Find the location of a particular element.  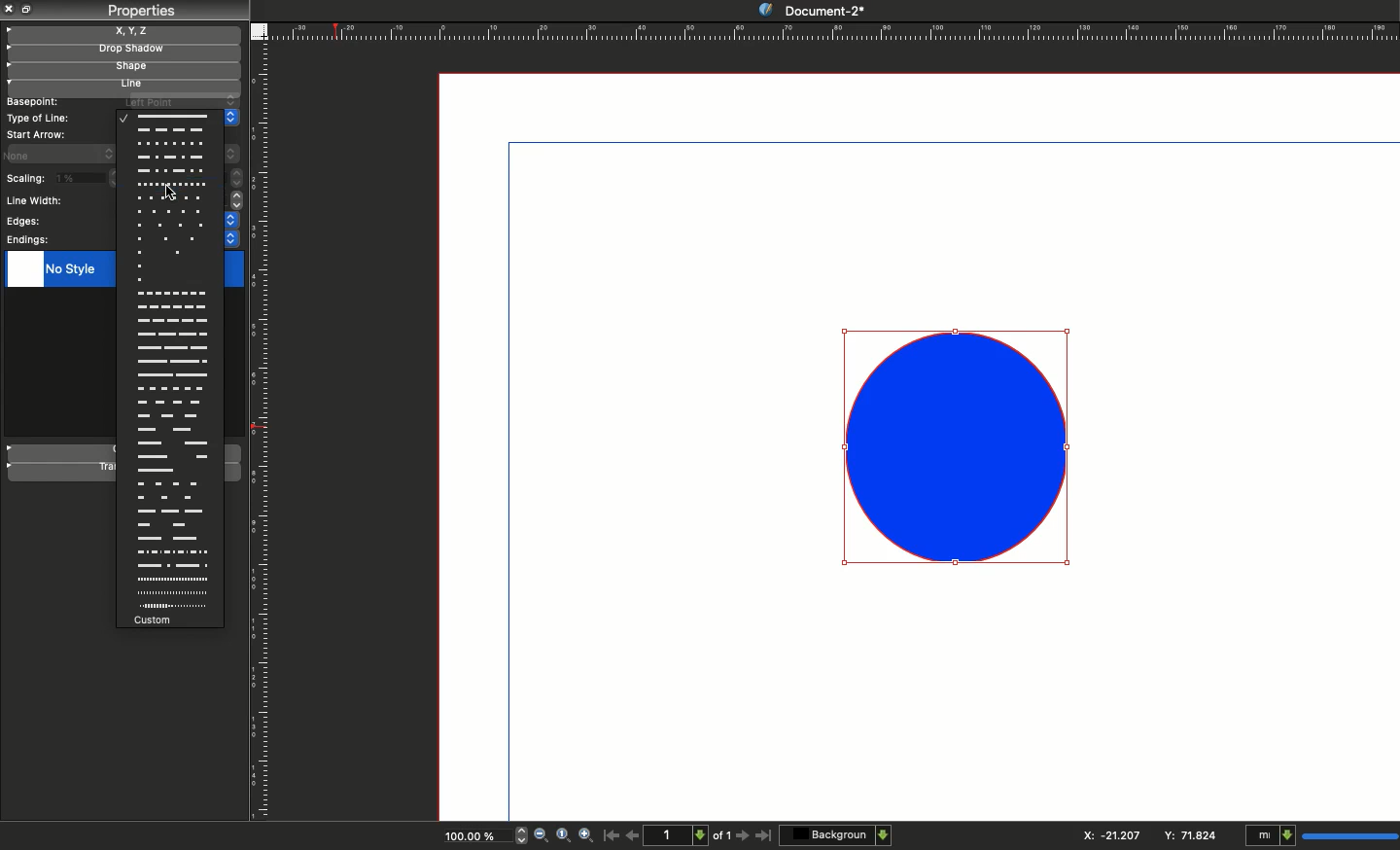

Next page is located at coordinates (745, 836).